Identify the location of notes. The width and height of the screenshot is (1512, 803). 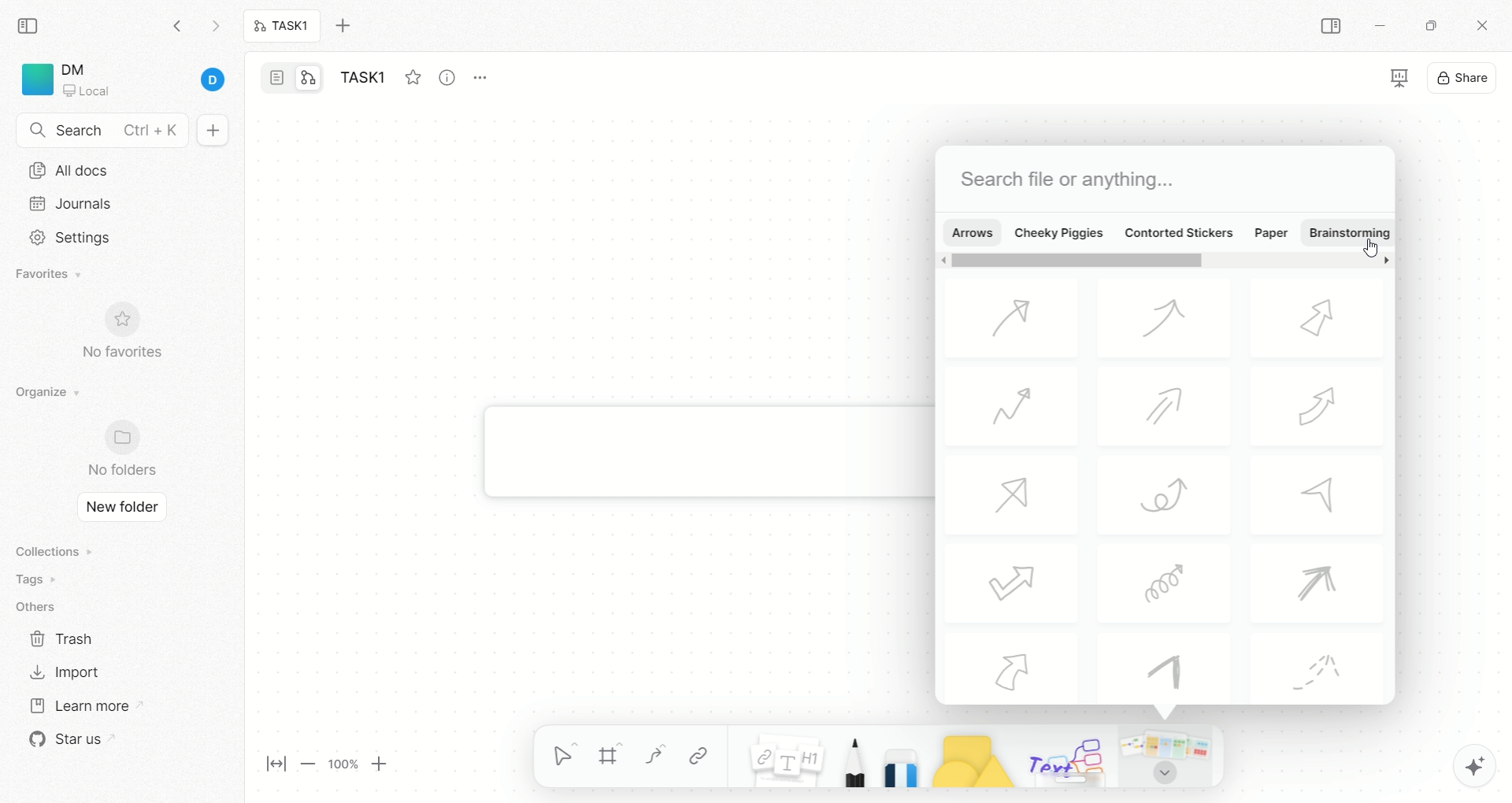
(777, 756).